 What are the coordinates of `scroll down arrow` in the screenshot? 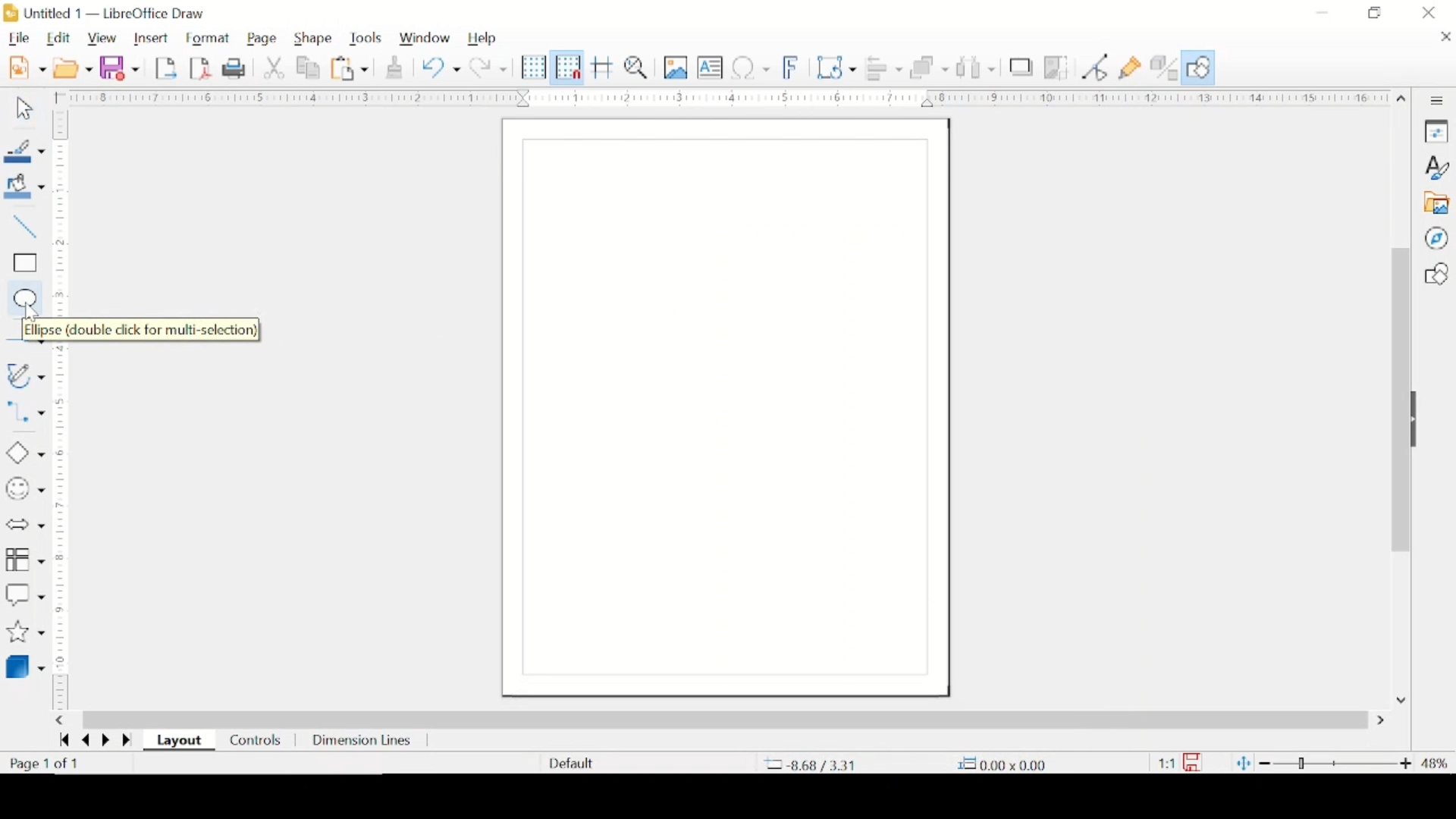 It's located at (1398, 700).